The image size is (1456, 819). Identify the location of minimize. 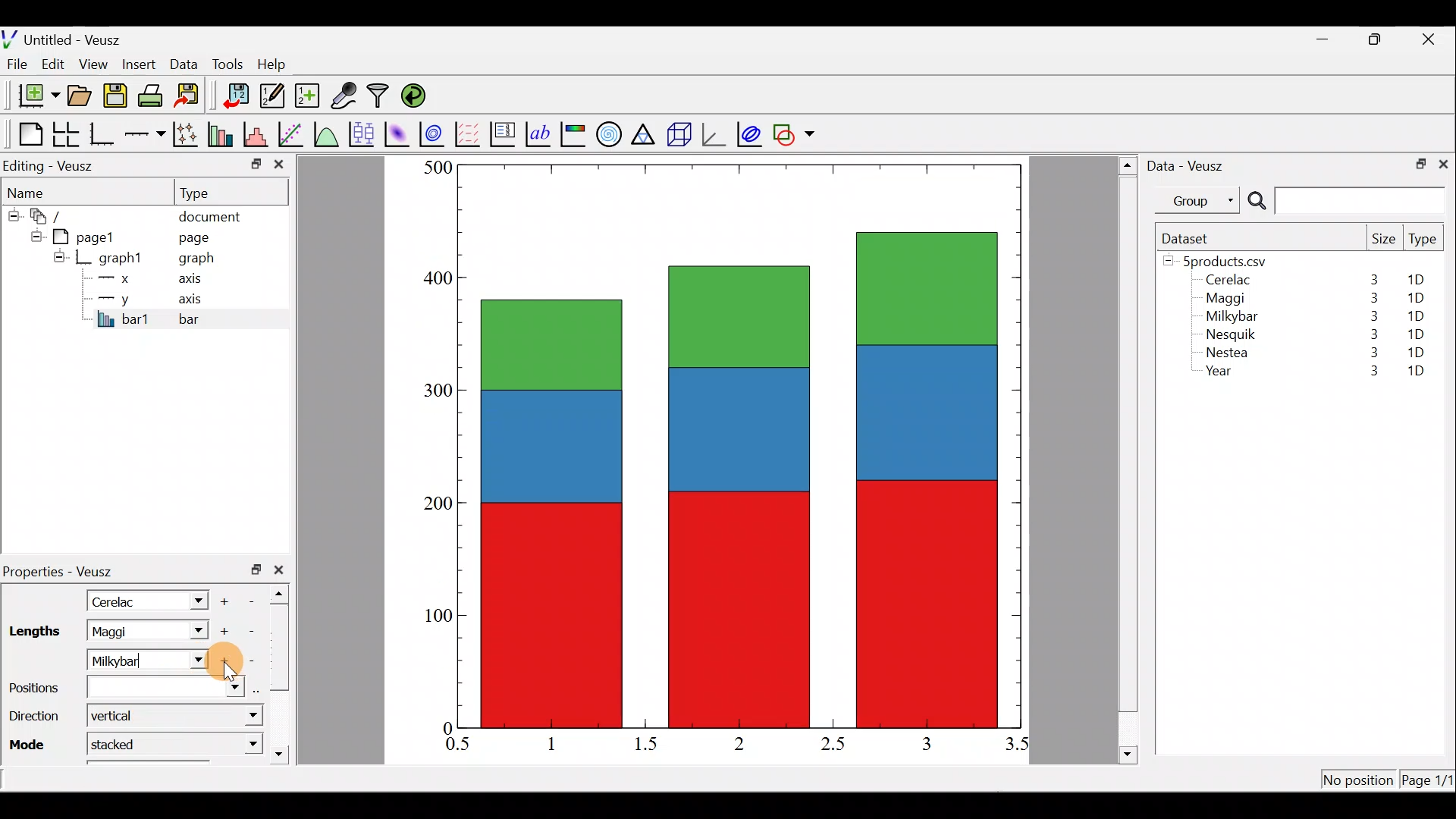
(255, 163).